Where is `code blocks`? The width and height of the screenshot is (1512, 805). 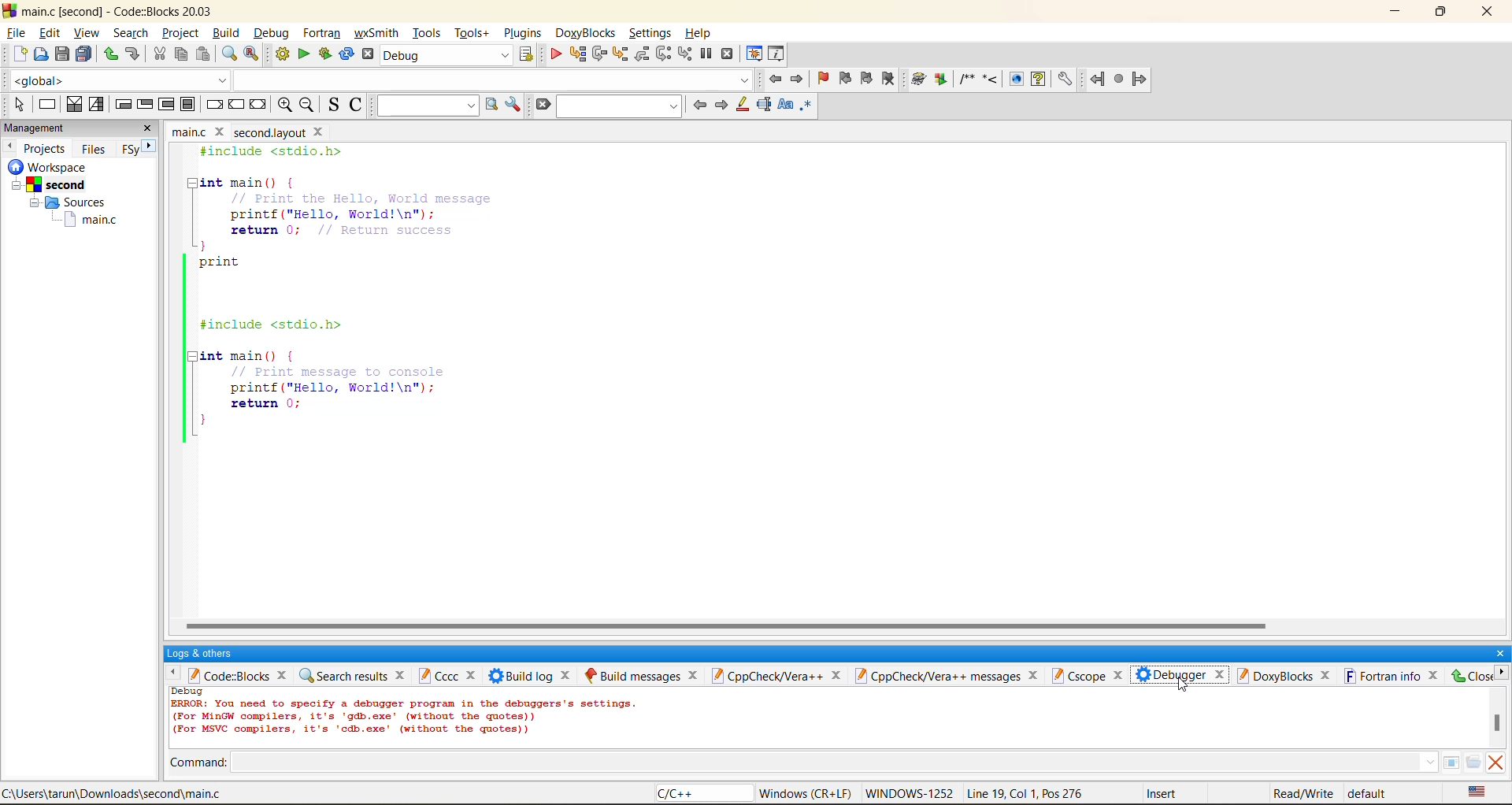 code blocks is located at coordinates (239, 676).